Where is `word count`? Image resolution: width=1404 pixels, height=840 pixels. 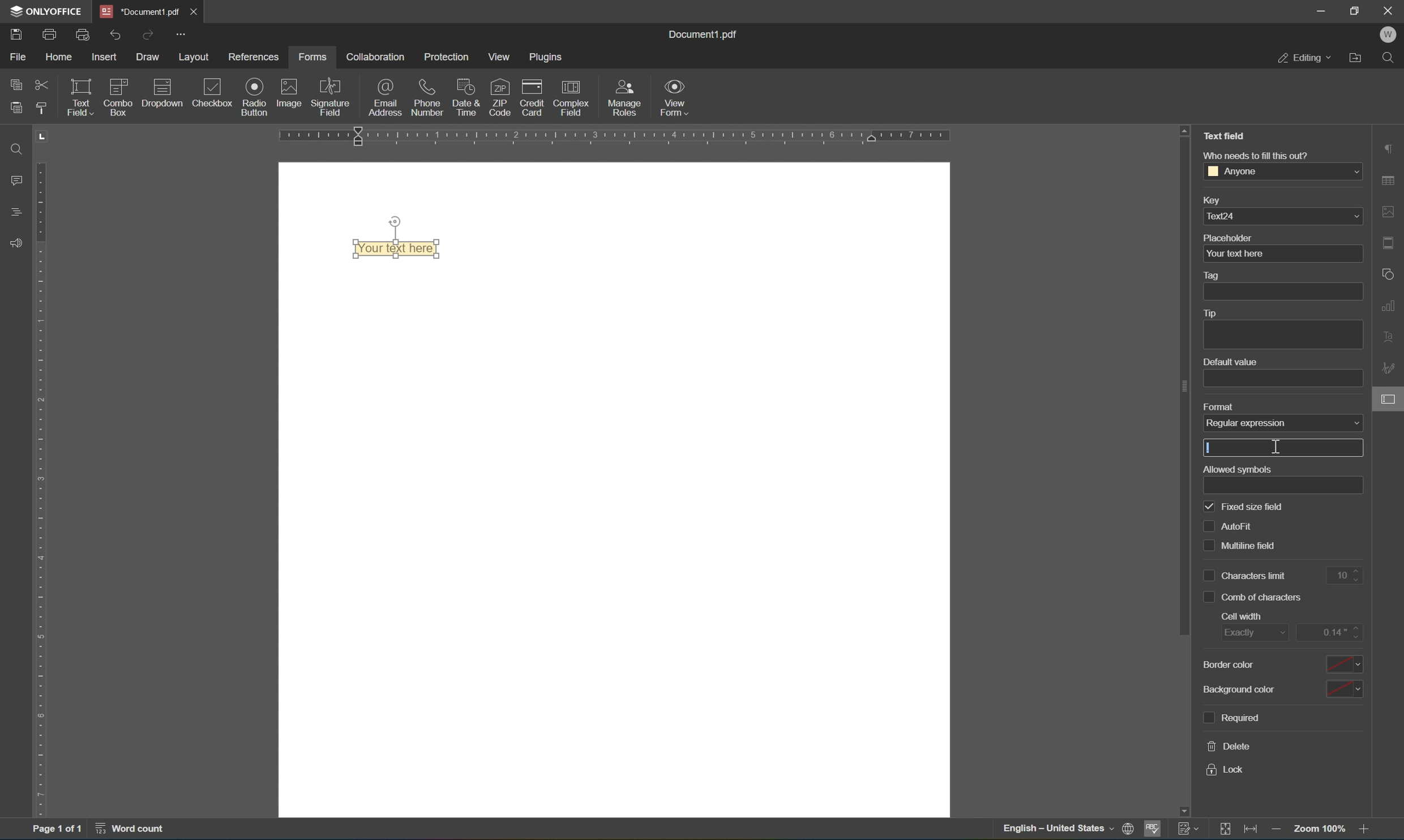 word count is located at coordinates (136, 830).